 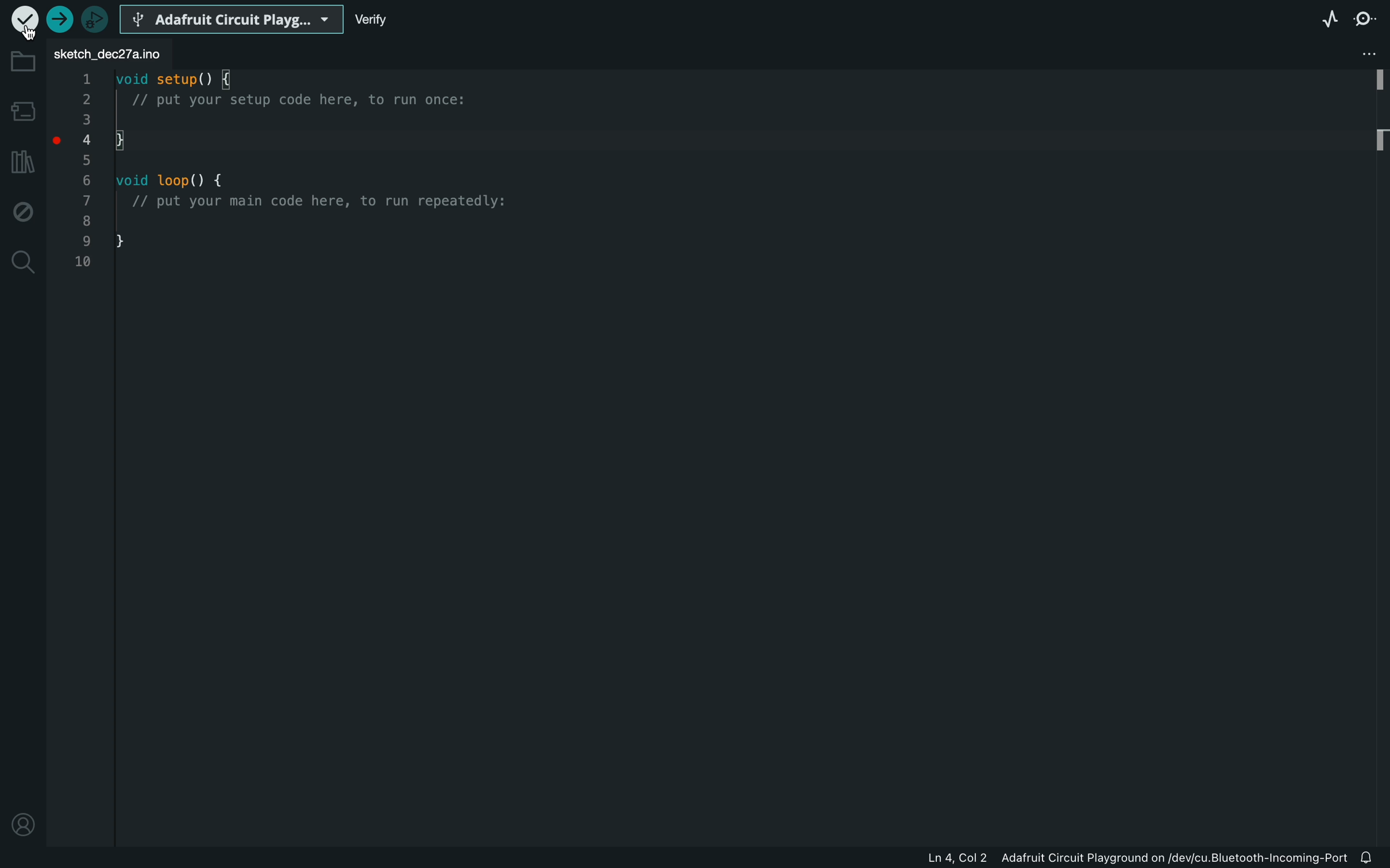 I want to click on board selecter, so click(x=232, y=17).